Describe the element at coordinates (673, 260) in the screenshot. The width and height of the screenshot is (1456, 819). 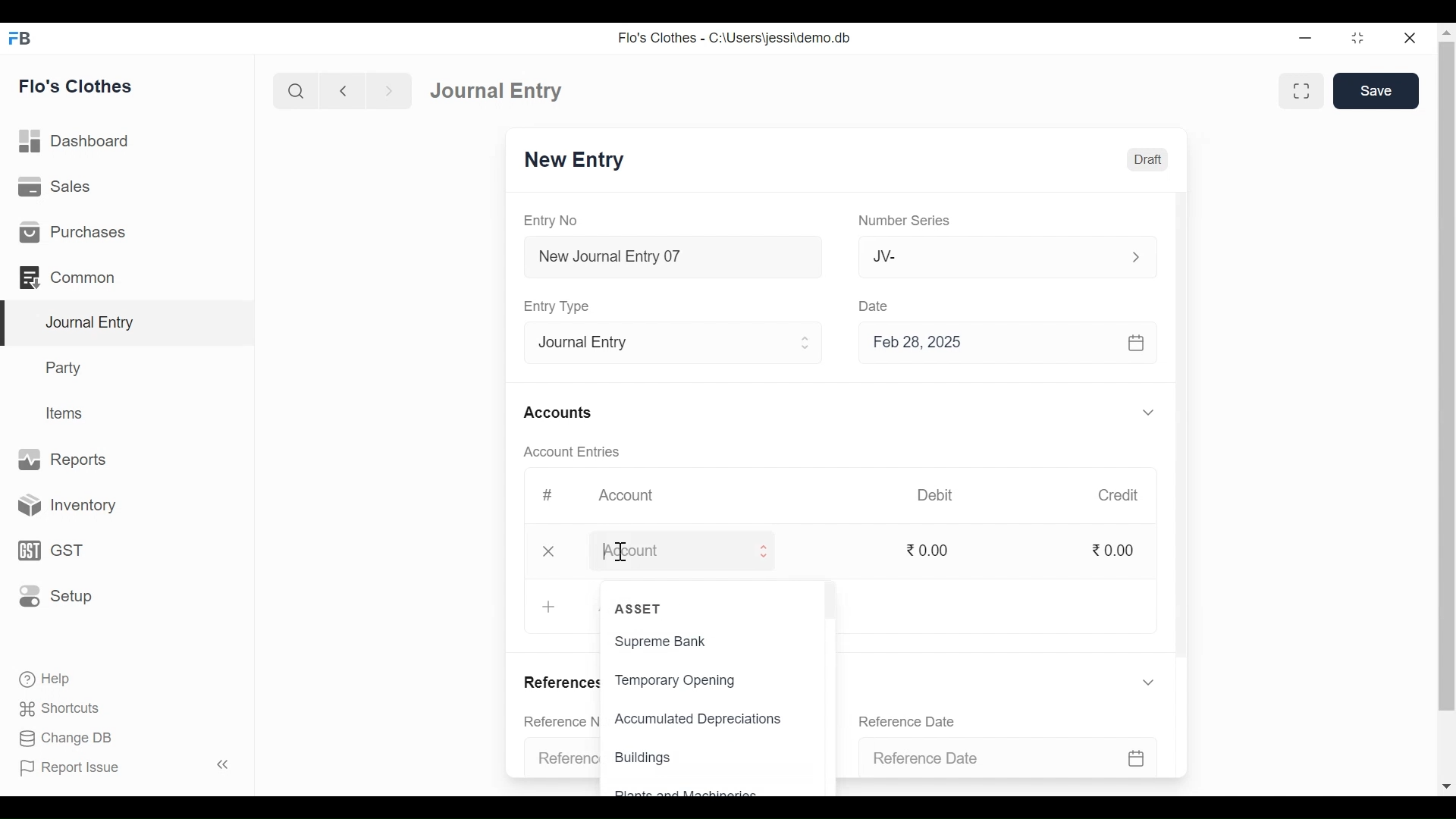
I see `New Journal Entry 07` at that location.